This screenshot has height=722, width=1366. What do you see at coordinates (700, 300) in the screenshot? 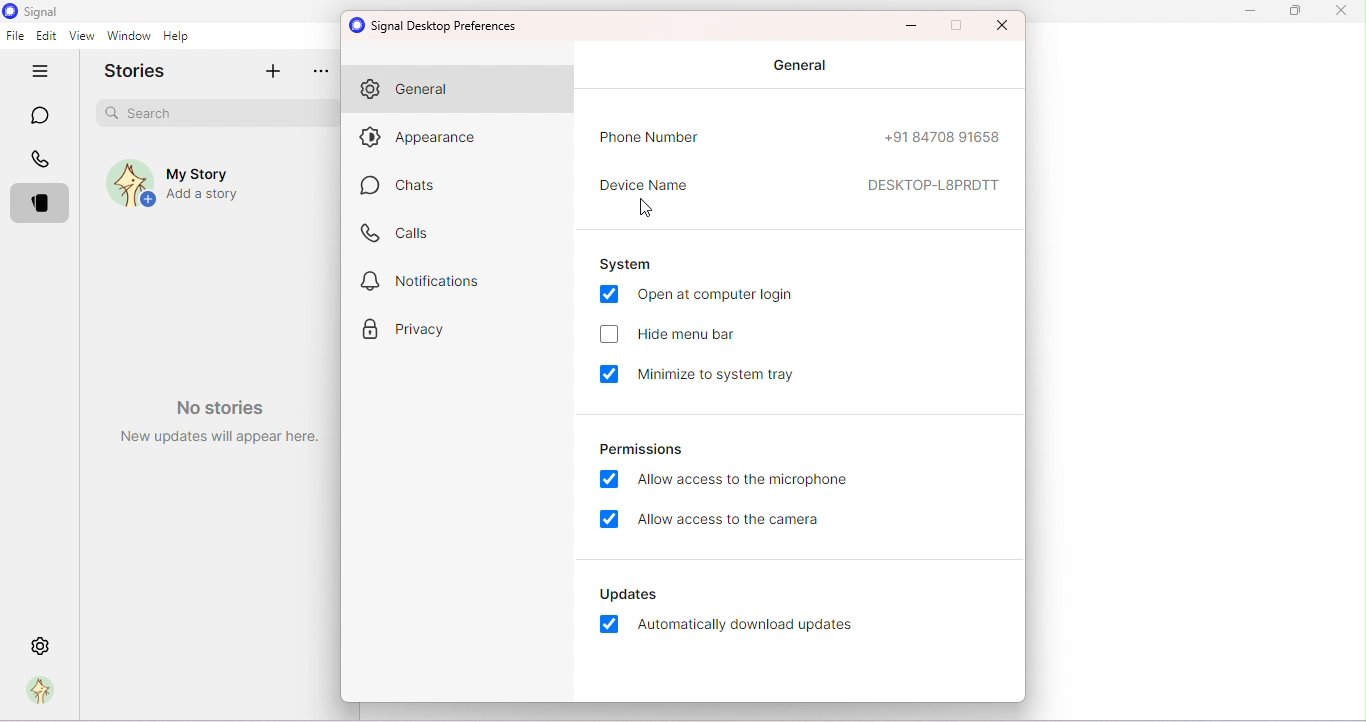
I see `Open at computer login` at bounding box center [700, 300].